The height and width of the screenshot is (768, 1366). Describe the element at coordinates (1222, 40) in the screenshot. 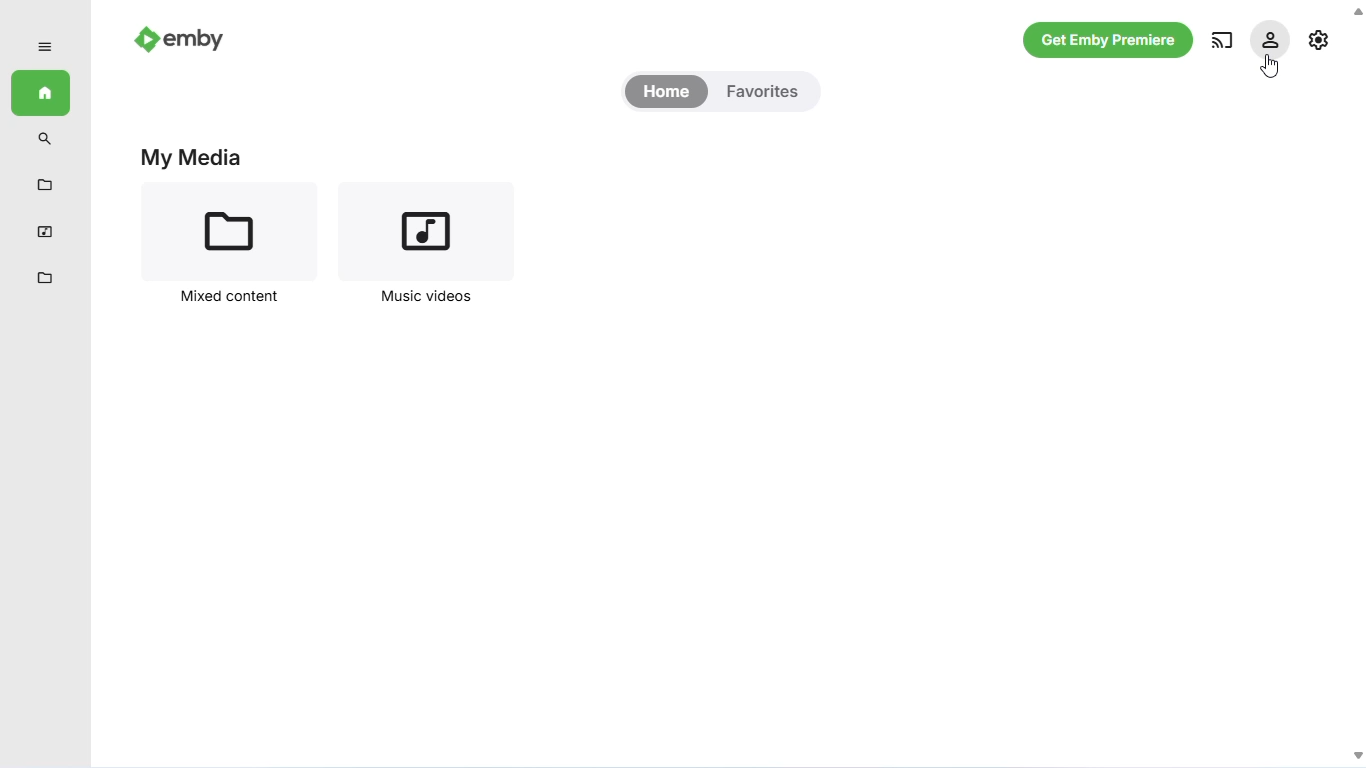

I see `play on another device` at that location.